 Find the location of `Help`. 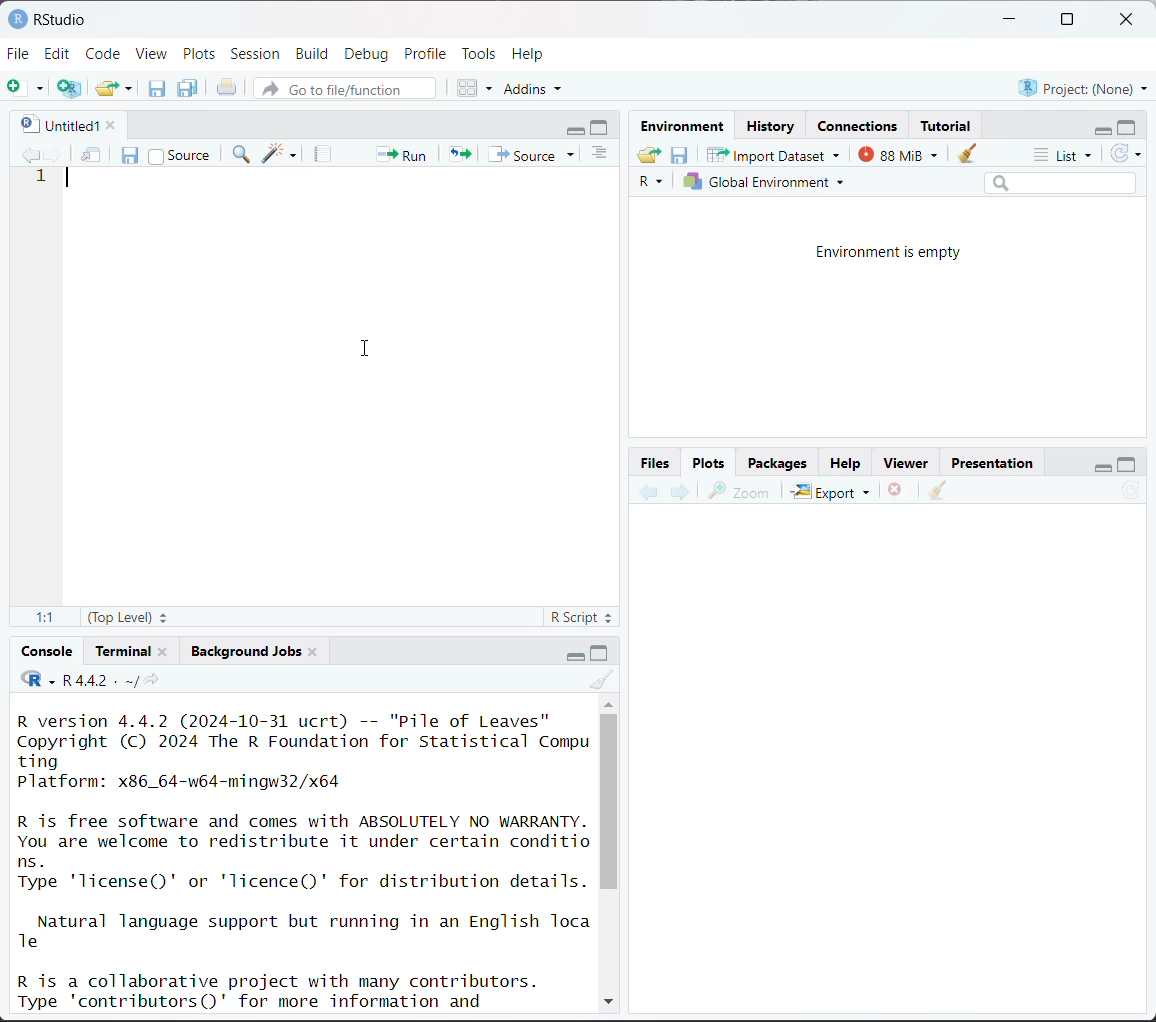

Help is located at coordinates (530, 53).